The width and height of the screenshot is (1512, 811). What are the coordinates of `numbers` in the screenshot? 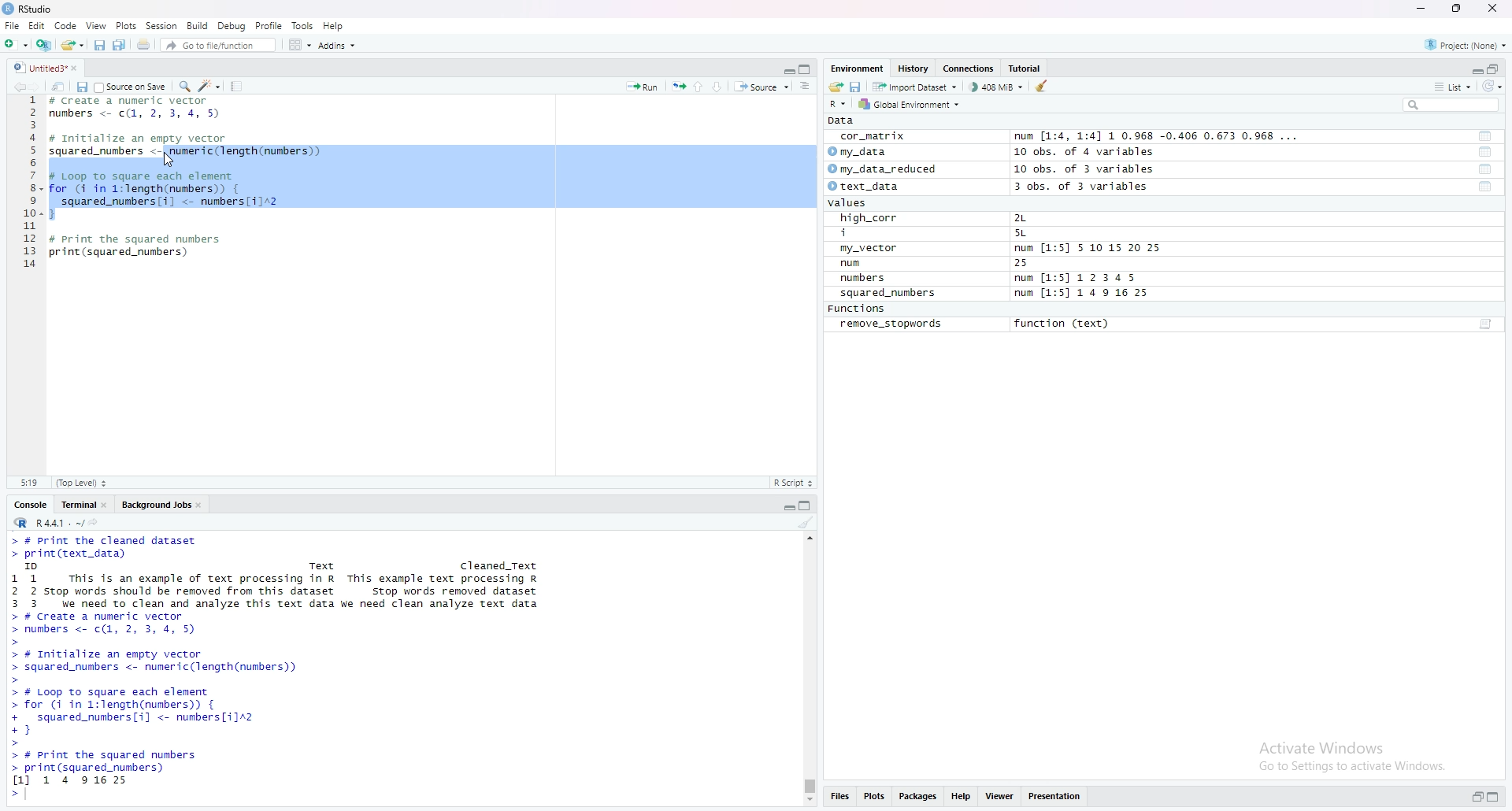 It's located at (866, 279).